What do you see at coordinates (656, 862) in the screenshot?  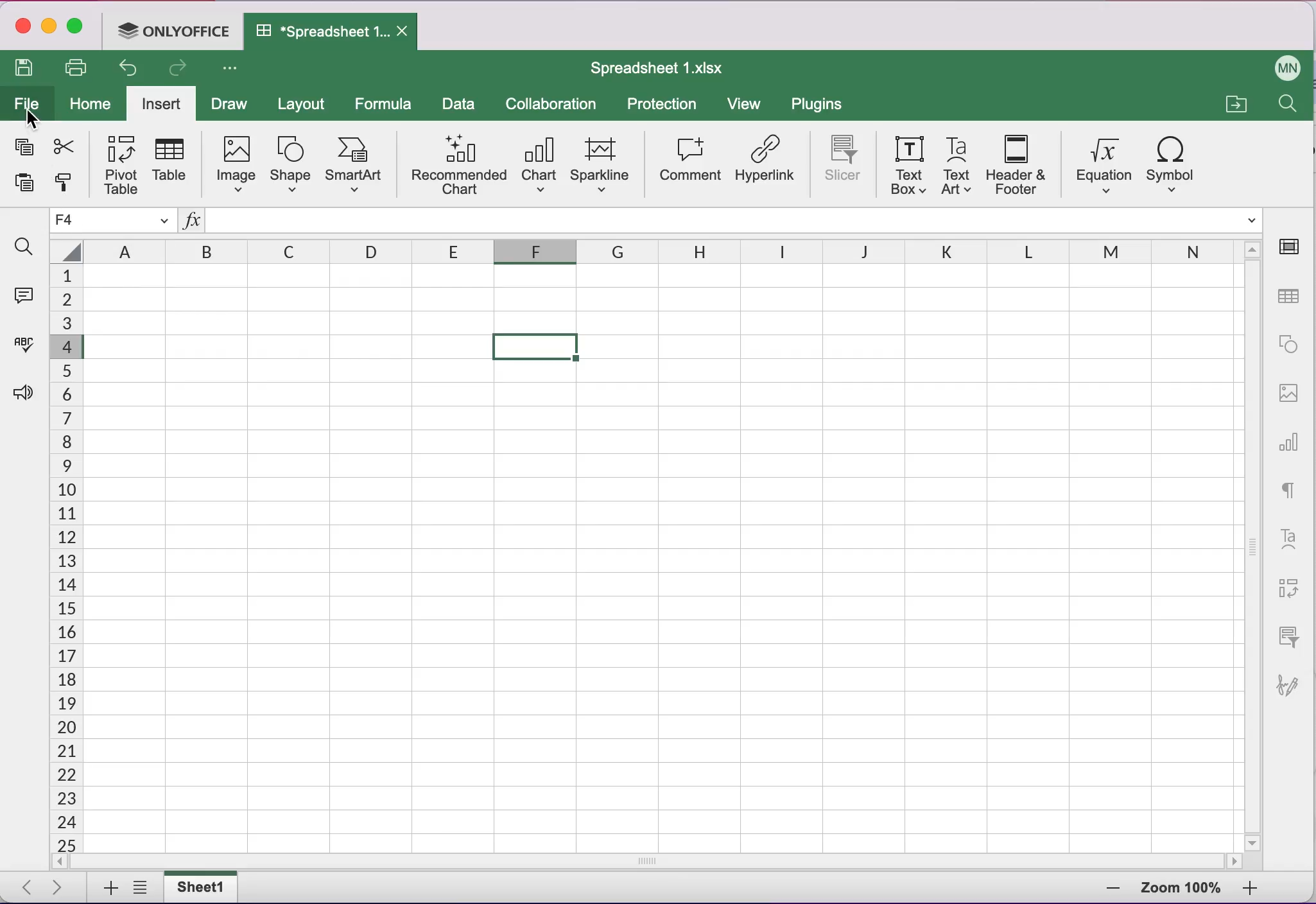 I see `horizontal slider` at bounding box center [656, 862].